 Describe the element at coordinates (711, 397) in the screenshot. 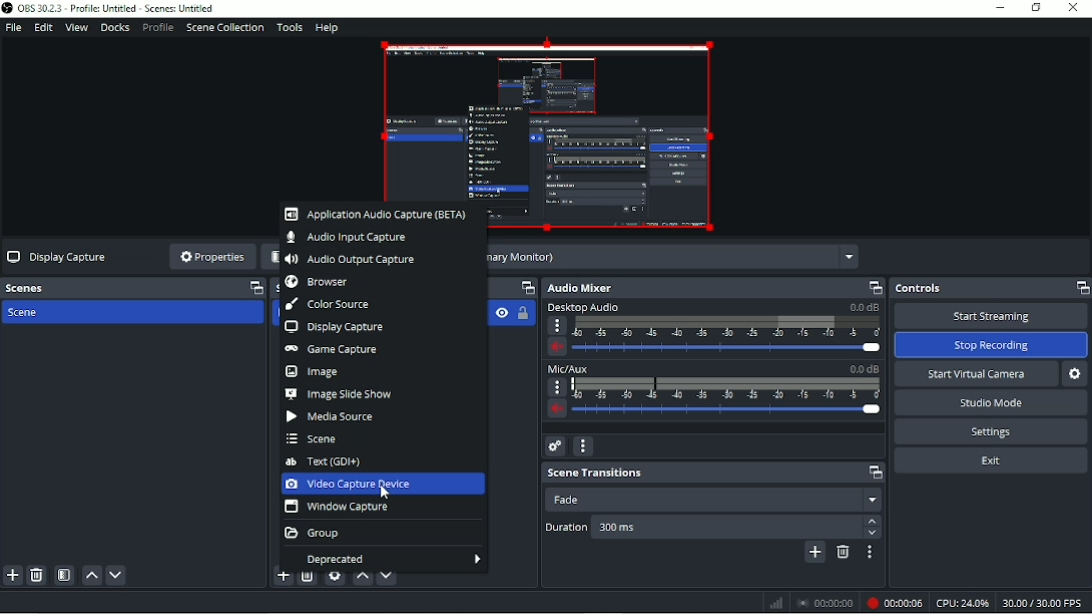

I see `Mic/AUX Slider` at that location.